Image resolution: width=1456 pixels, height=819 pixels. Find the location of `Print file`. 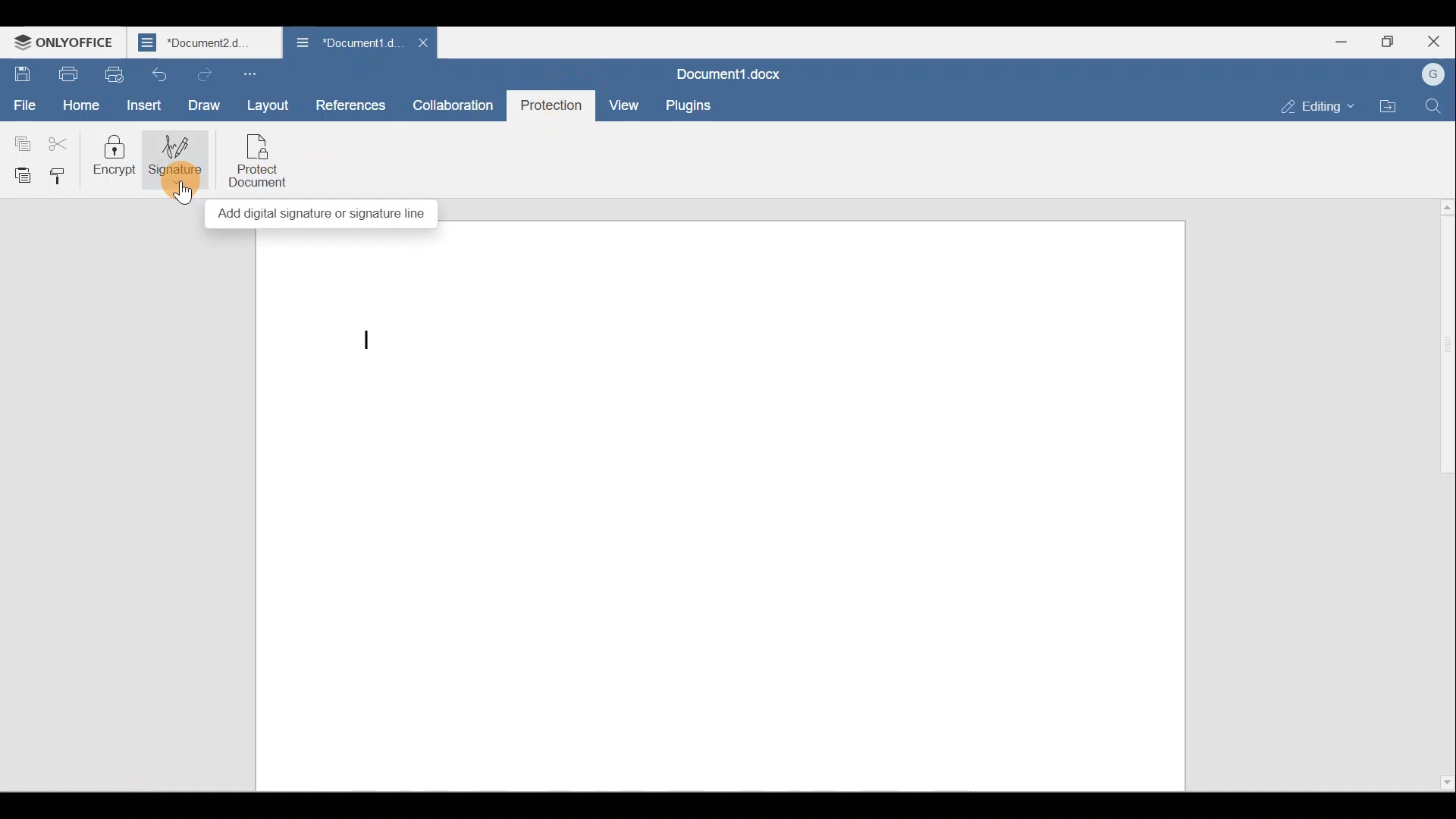

Print file is located at coordinates (67, 74).